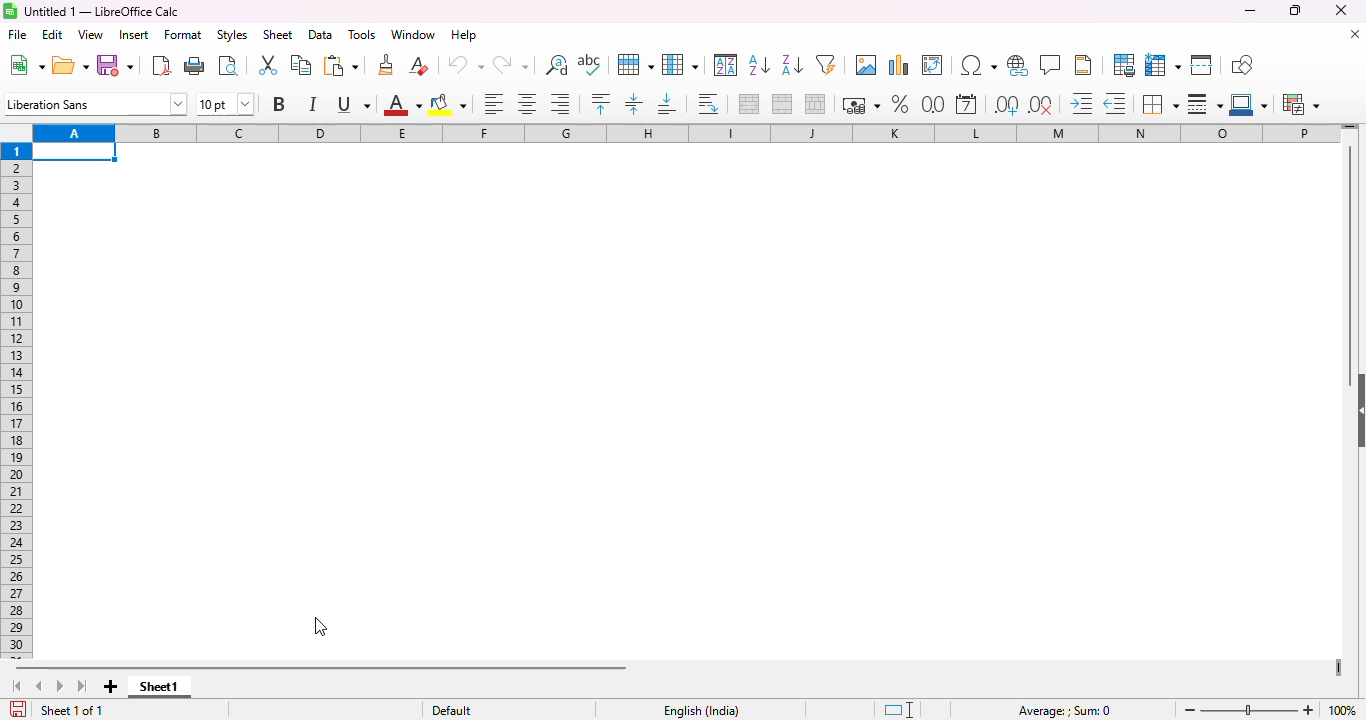 Image resolution: width=1366 pixels, height=720 pixels. I want to click on scroll to next sheet, so click(58, 687).